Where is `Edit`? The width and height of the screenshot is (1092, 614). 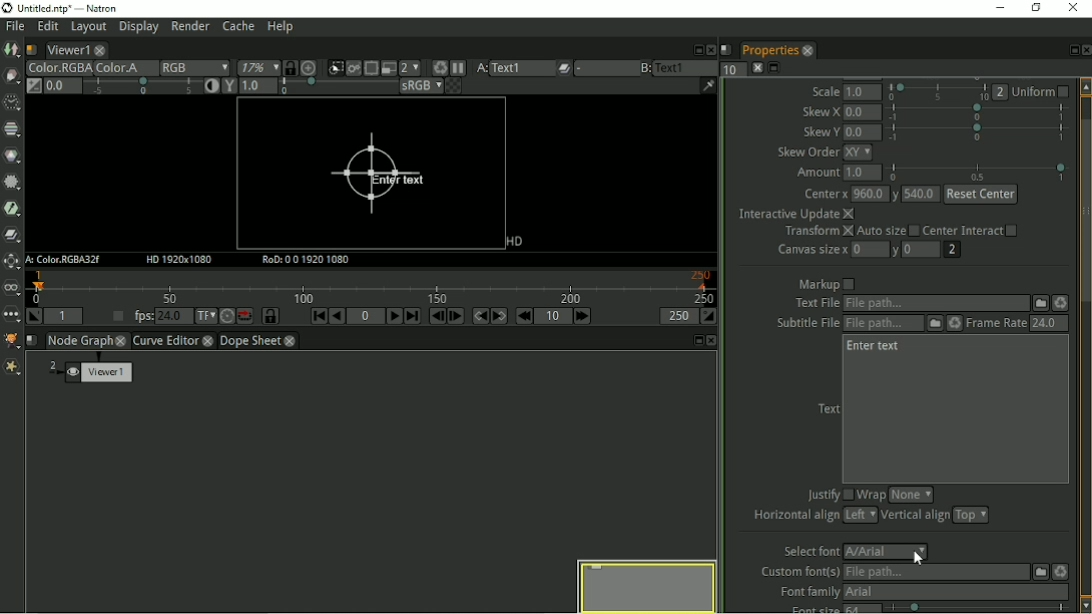 Edit is located at coordinates (47, 28).